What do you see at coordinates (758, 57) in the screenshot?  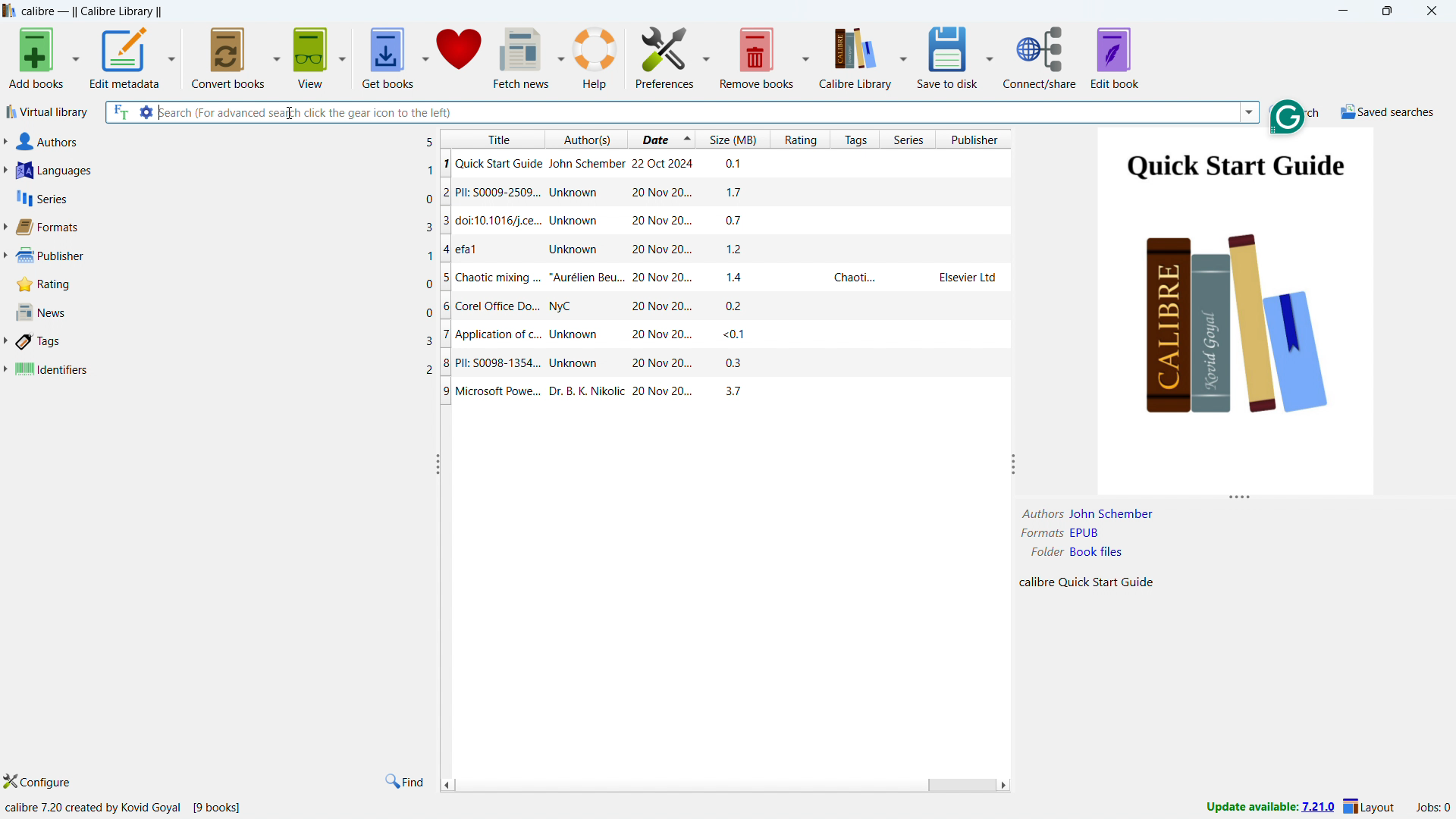 I see `remove books` at bounding box center [758, 57].